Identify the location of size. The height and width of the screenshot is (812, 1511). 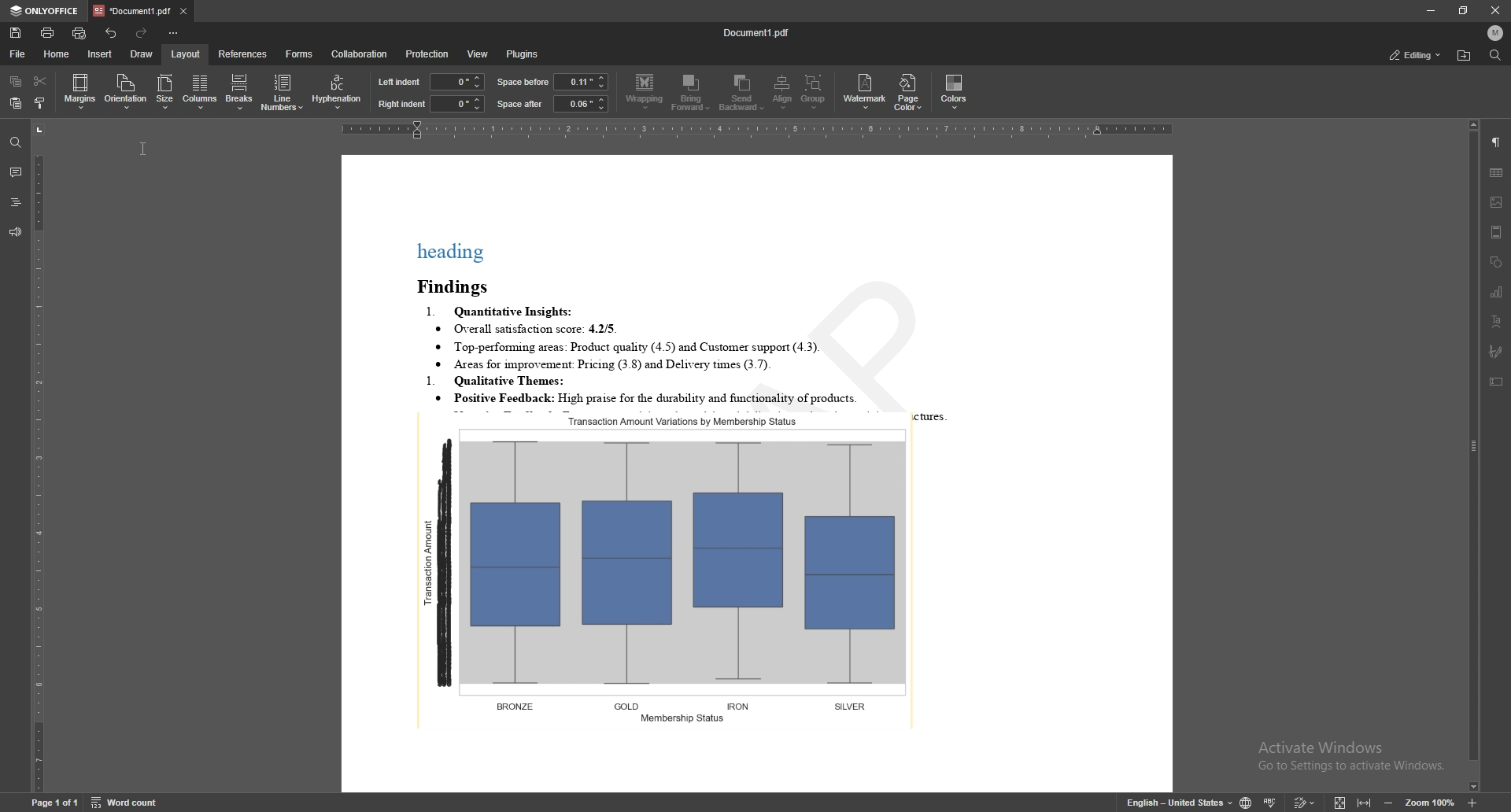
(164, 92).